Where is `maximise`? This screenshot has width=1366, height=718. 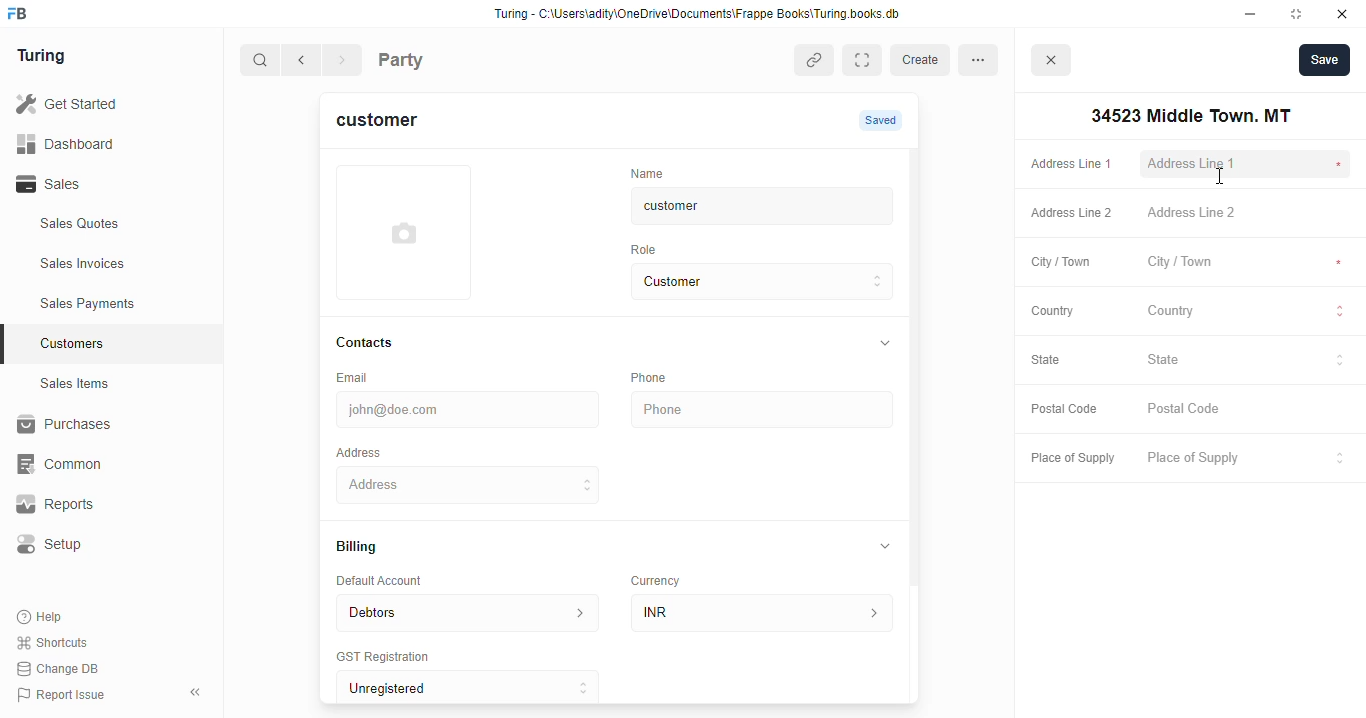 maximise is located at coordinates (1300, 14).